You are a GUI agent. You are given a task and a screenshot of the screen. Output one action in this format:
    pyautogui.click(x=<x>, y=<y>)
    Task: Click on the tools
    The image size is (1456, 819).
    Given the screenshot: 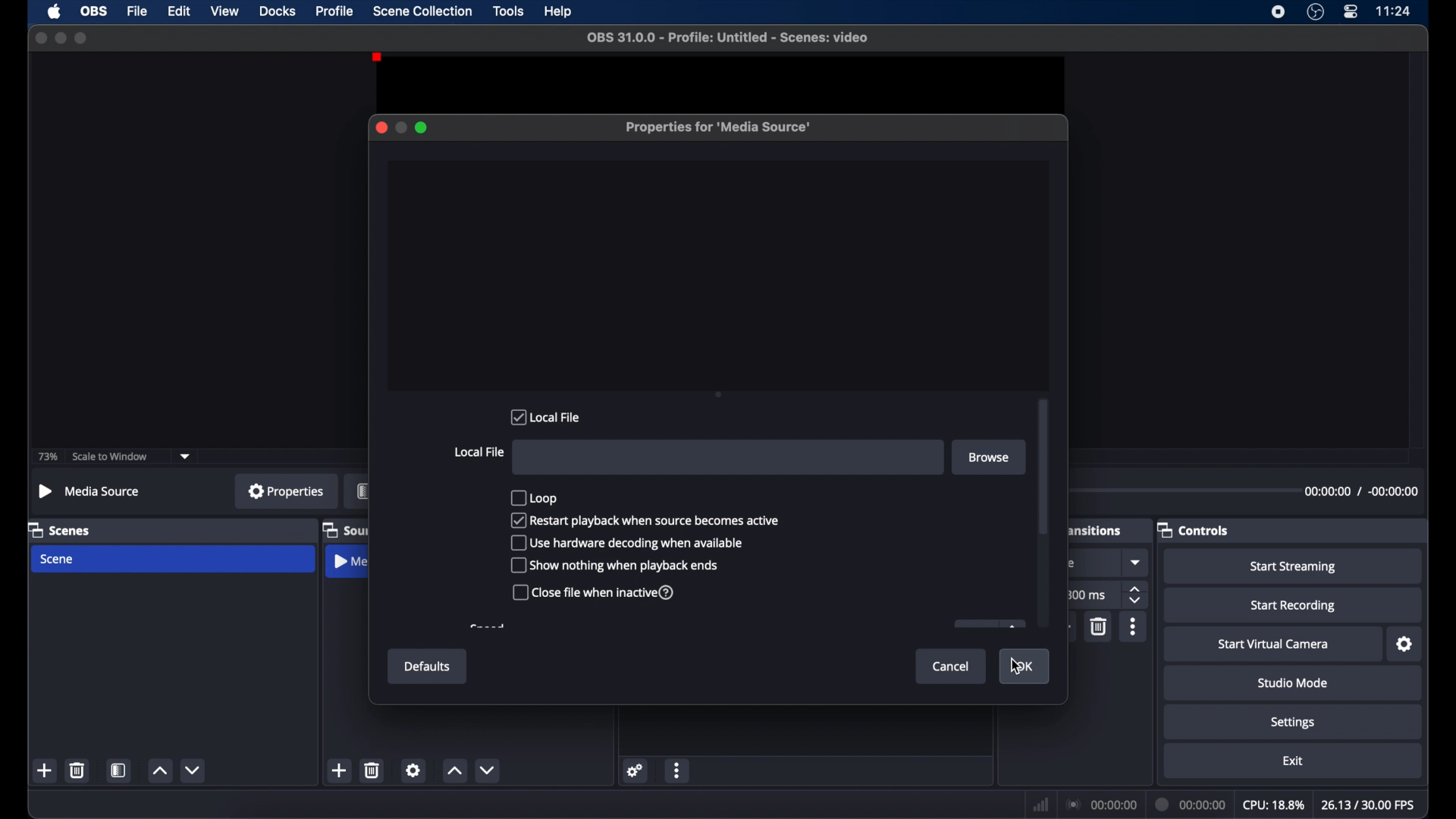 What is the action you would take?
    pyautogui.click(x=509, y=11)
    